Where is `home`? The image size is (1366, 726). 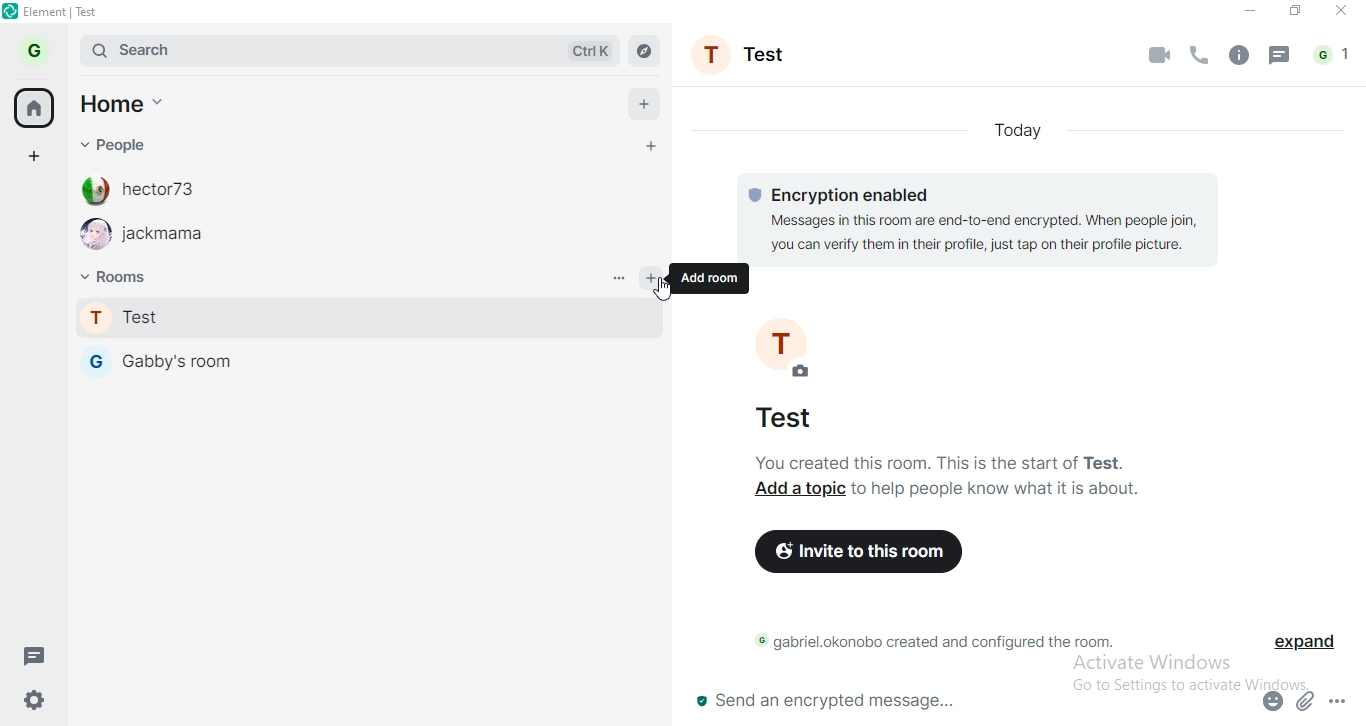 home is located at coordinates (121, 103).